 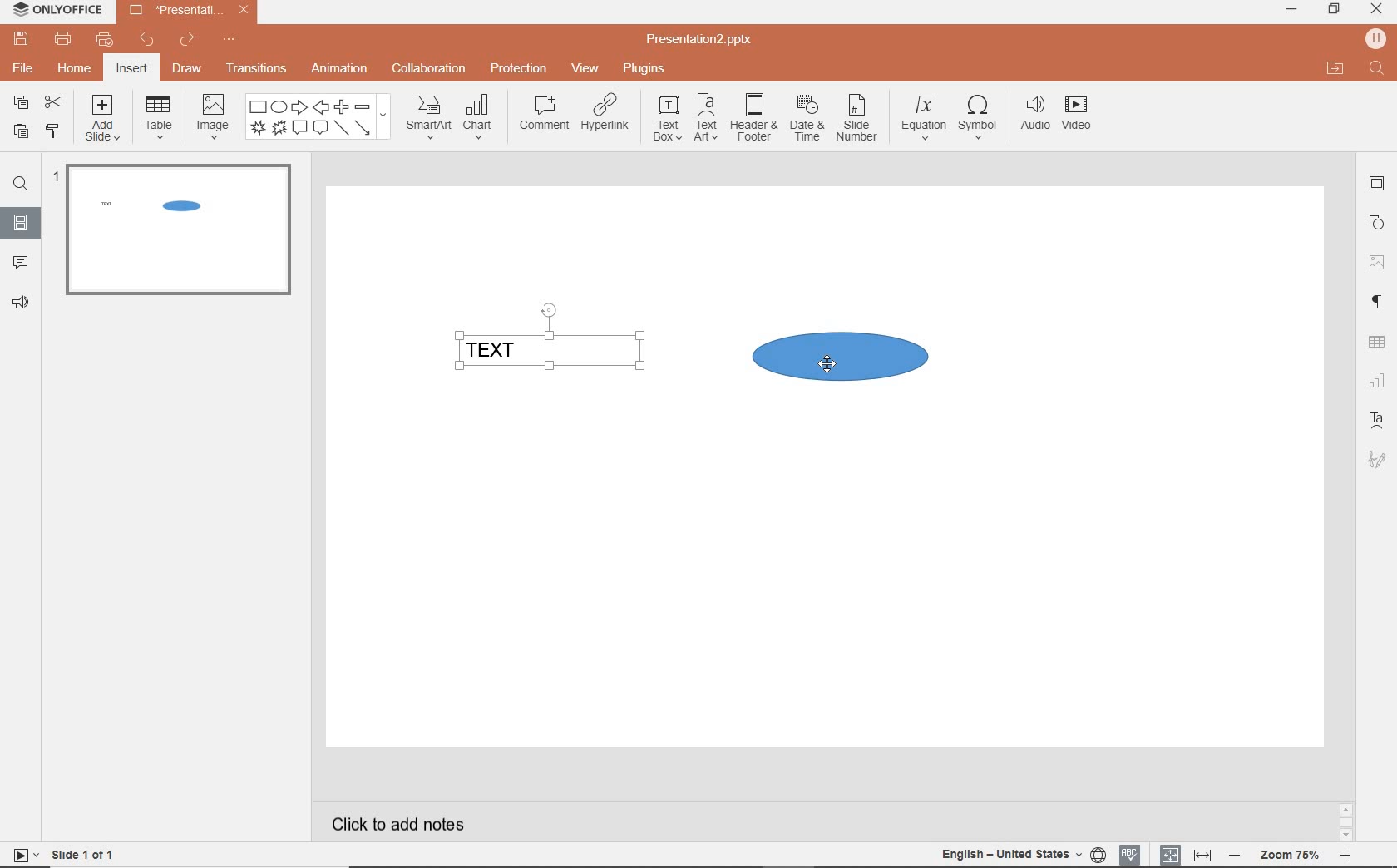 What do you see at coordinates (64, 39) in the screenshot?
I see `print` at bounding box center [64, 39].